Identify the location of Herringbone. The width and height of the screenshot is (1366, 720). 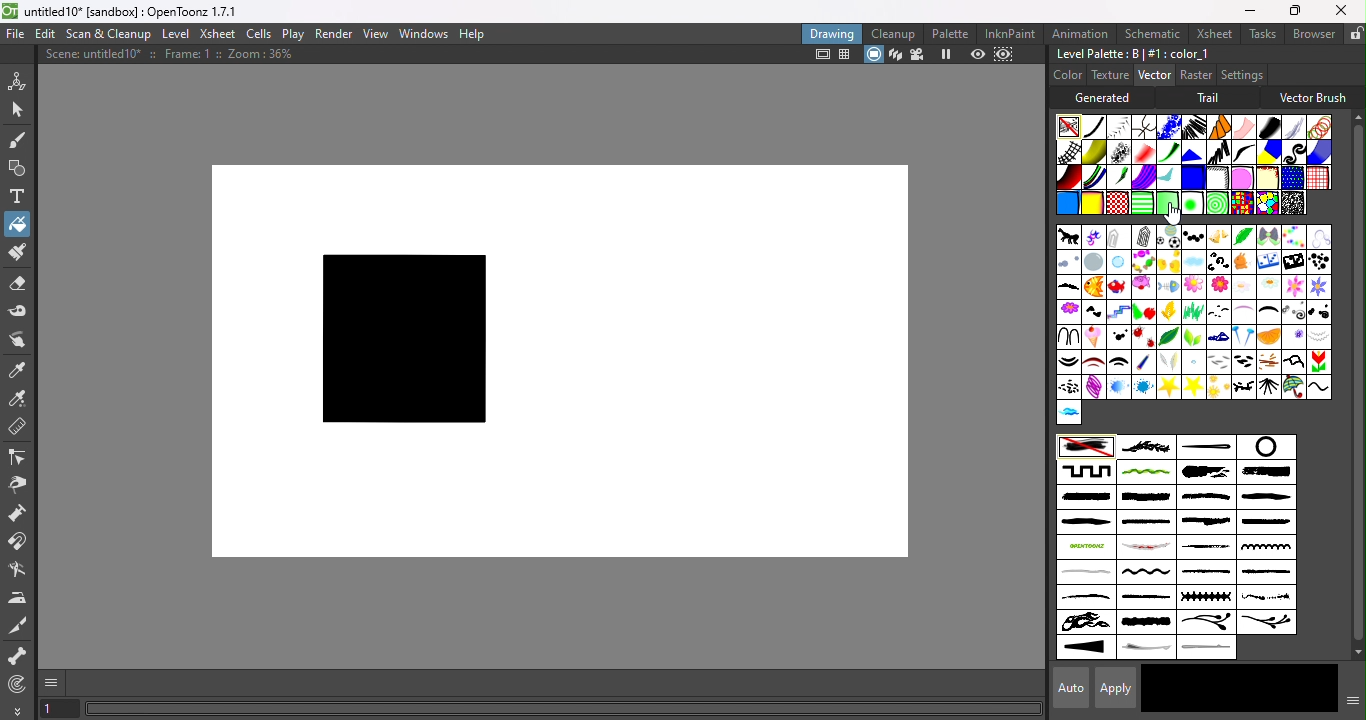
(1120, 126).